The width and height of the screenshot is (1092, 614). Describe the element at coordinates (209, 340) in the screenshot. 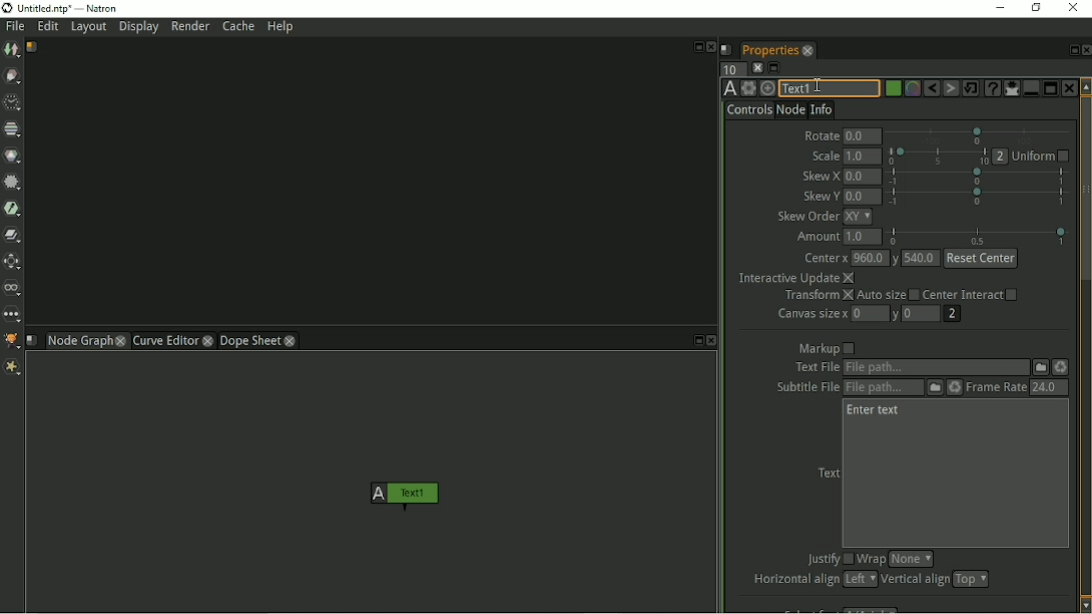

I see `close` at that location.